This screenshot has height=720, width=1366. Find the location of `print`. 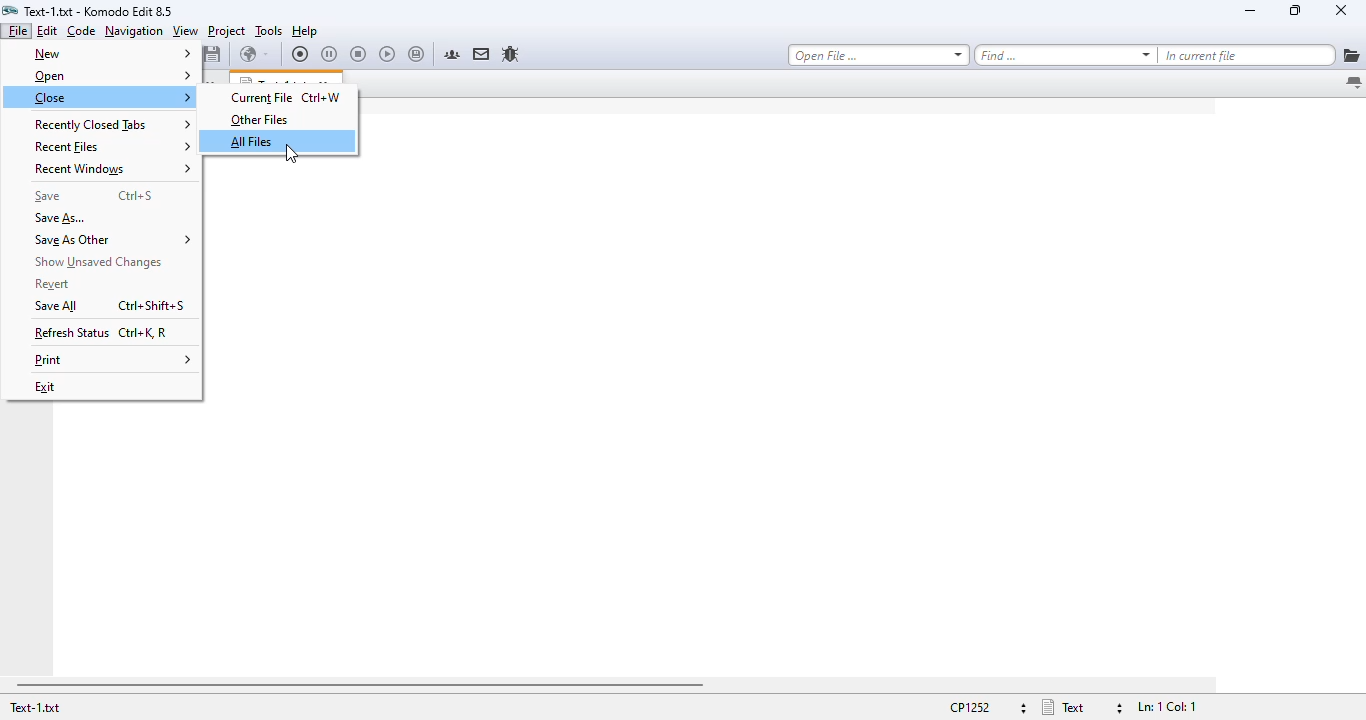

print is located at coordinates (112, 361).